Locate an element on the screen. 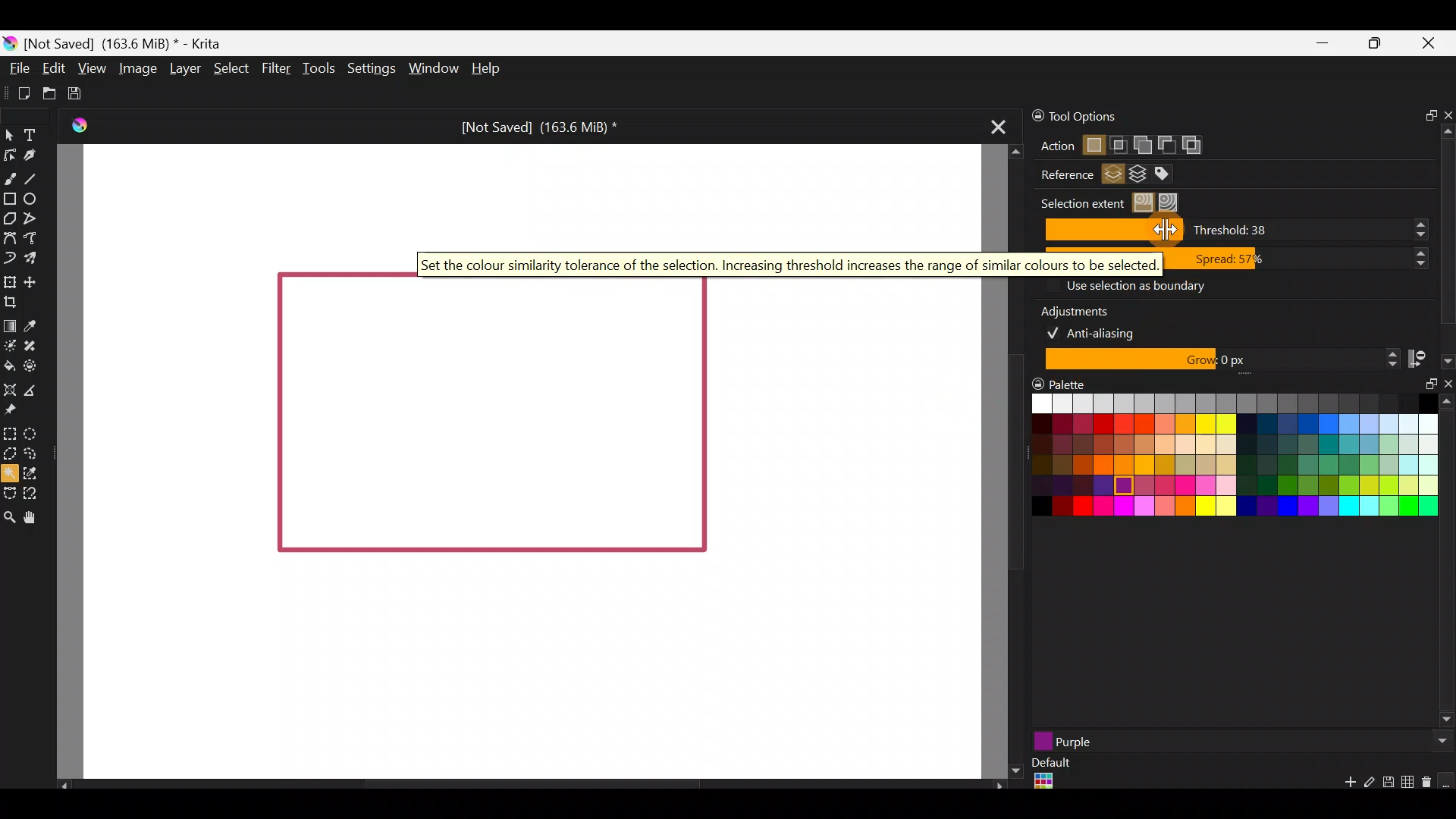 The width and height of the screenshot is (1456, 819). Close tab is located at coordinates (999, 131).